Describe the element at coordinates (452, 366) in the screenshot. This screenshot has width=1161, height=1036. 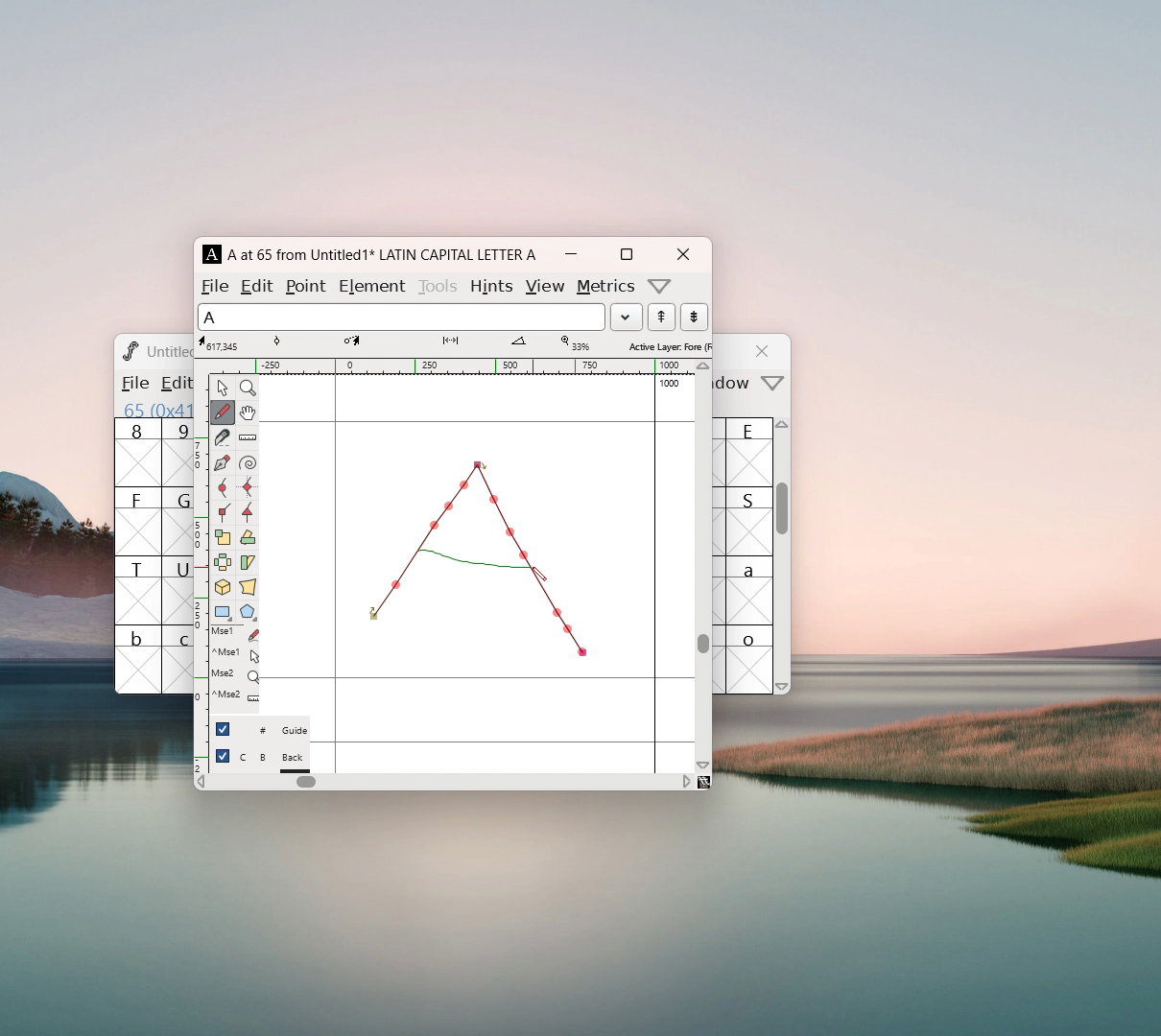
I see `horizontal ruler` at that location.